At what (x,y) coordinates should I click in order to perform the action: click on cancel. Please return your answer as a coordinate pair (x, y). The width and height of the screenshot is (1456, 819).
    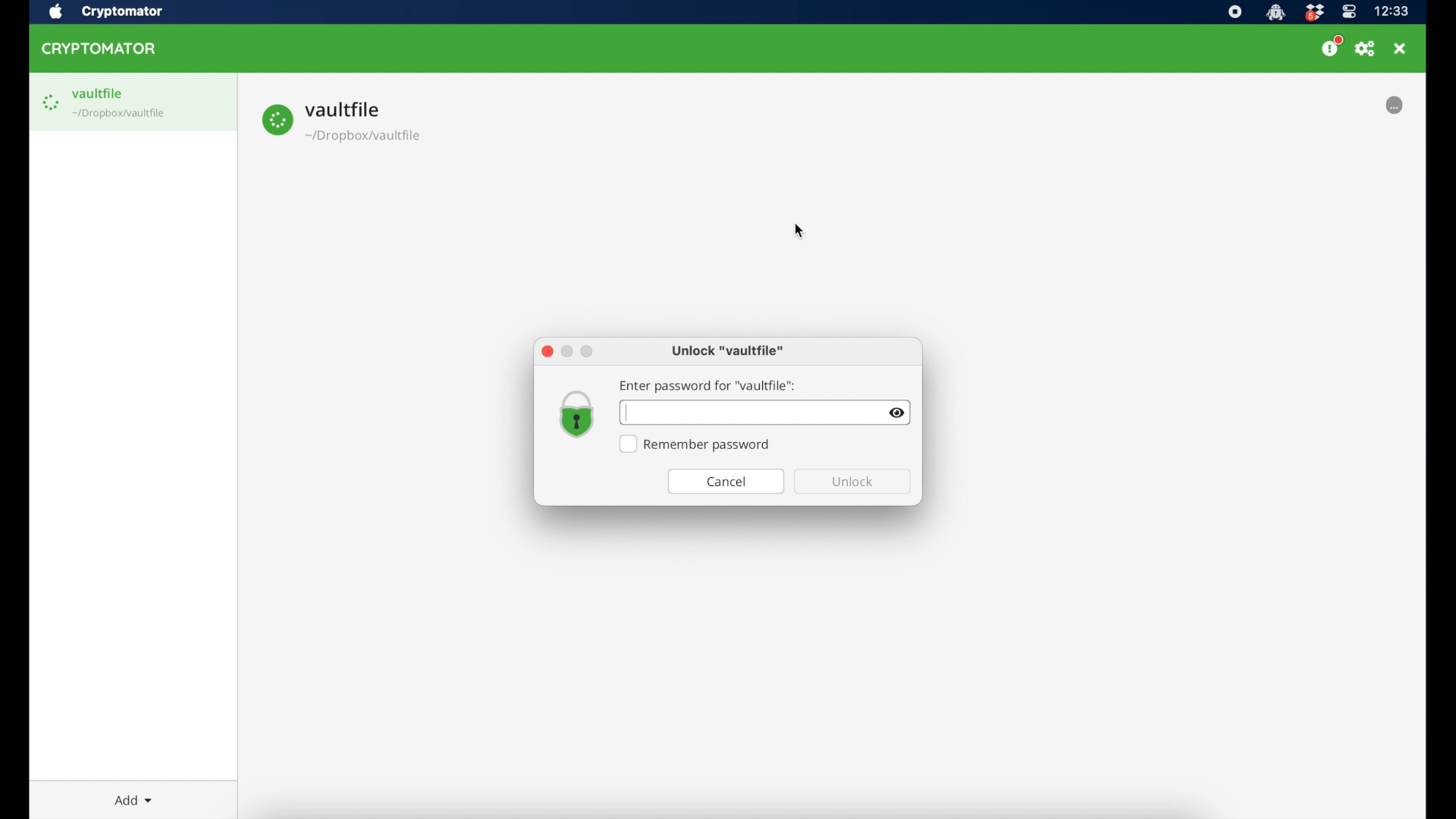
    Looking at the image, I should click on (726, 481).